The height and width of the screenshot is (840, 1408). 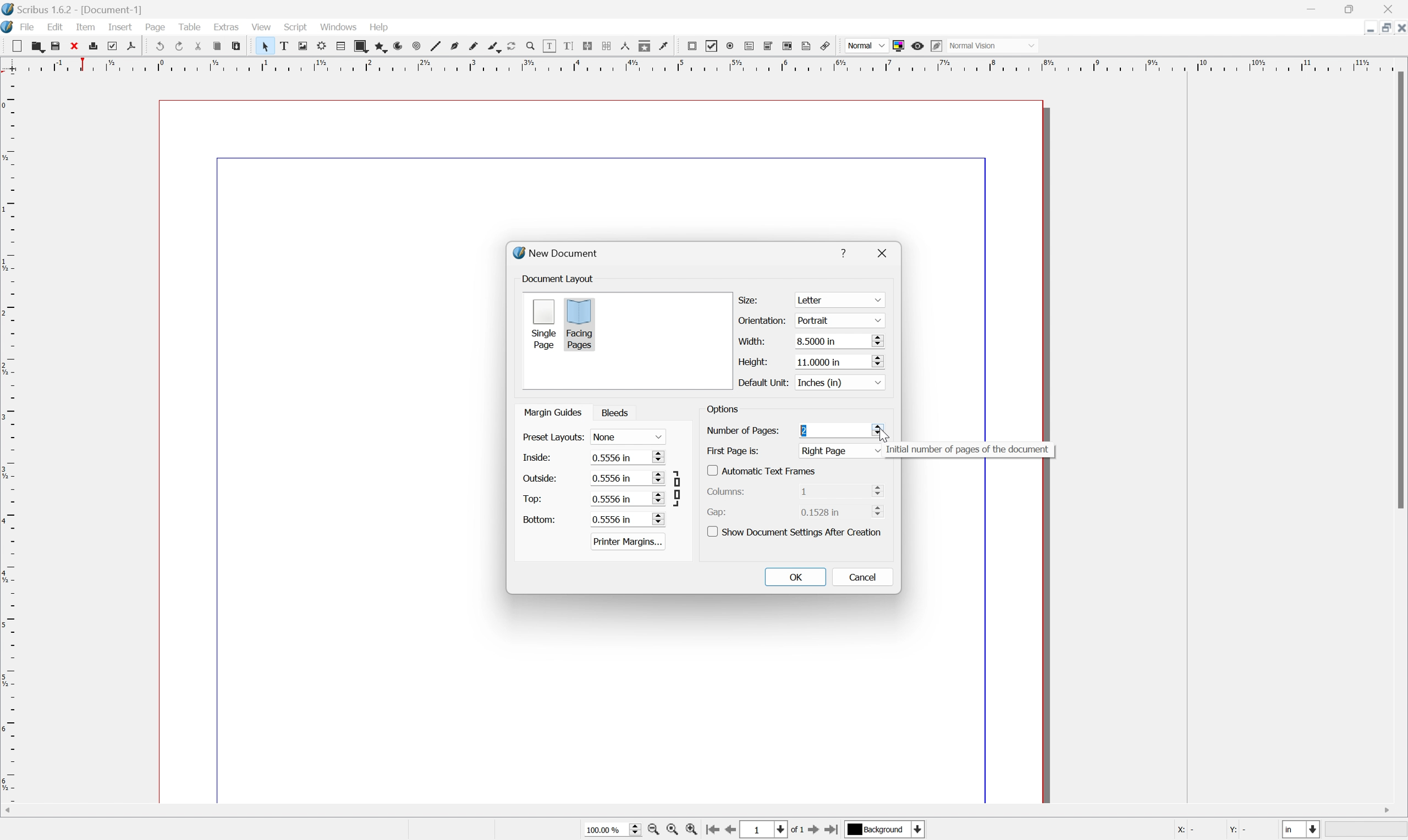 What do you see at coordinates (559, 278) in the screenshot?
I see `document layout` at bounding box center [559, 278].